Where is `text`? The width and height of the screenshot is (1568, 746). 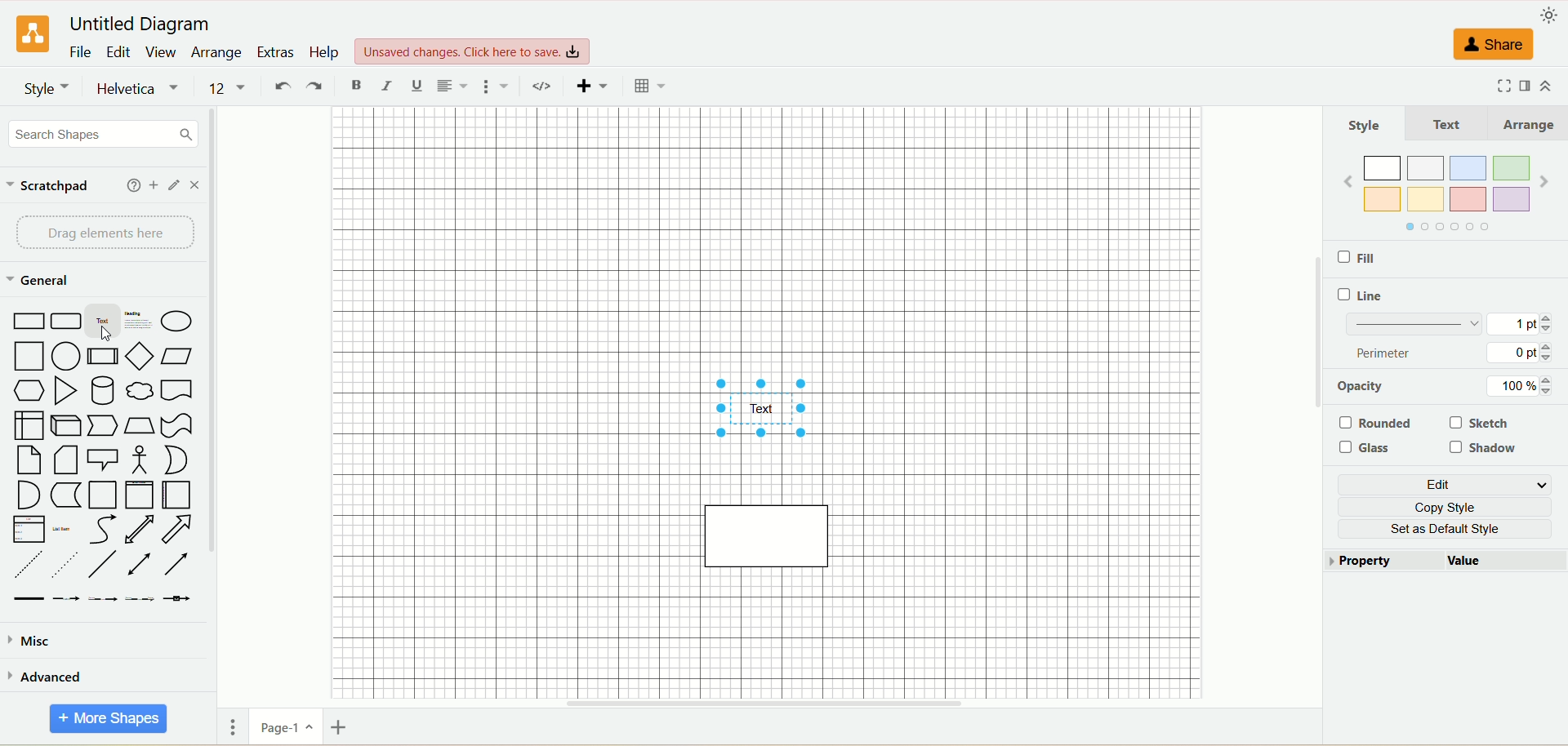
text is located at coordinates (1454, 126).